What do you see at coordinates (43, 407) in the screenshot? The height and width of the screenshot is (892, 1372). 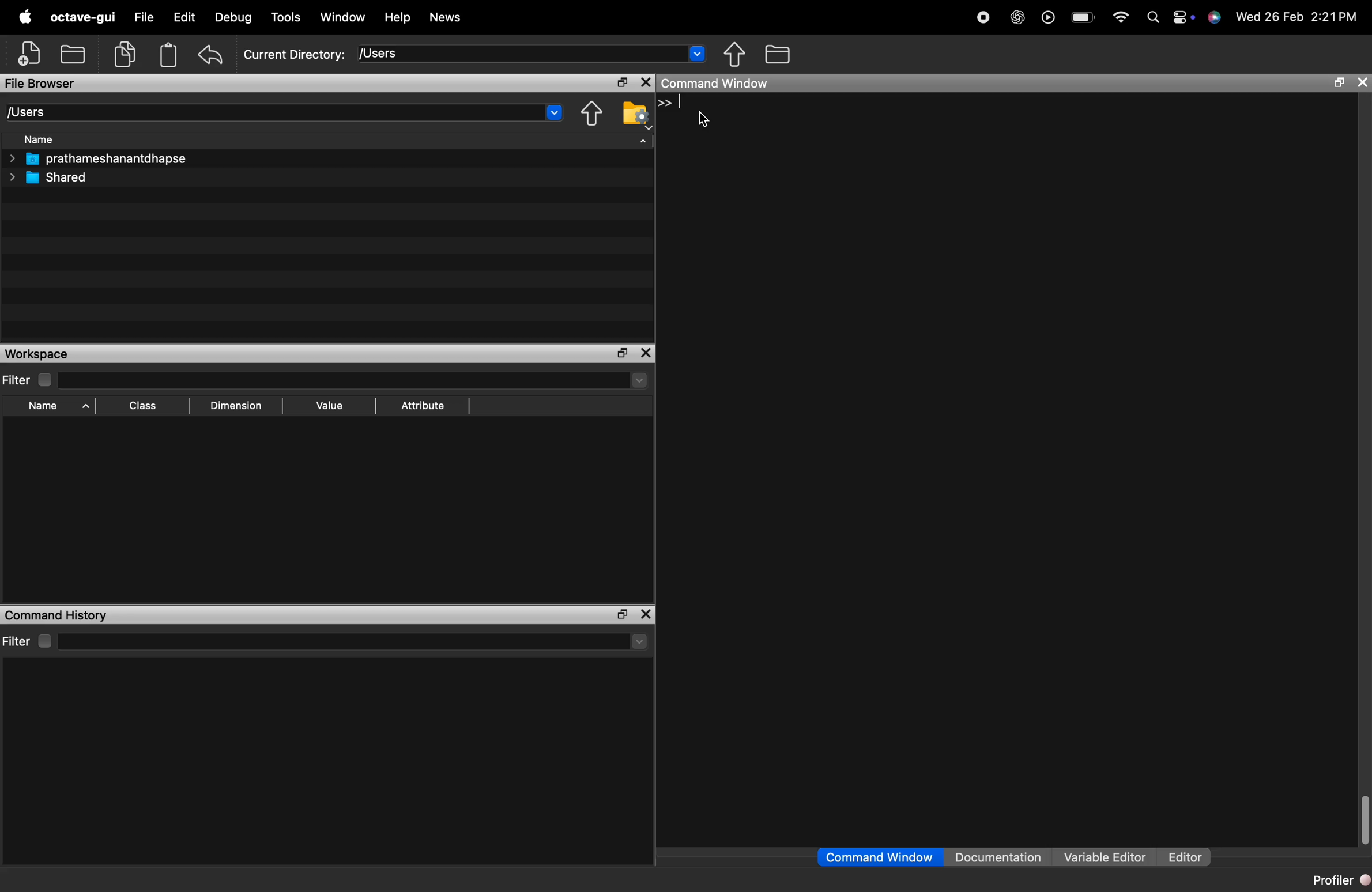 I see `Name` at bounding box center [43, 407].